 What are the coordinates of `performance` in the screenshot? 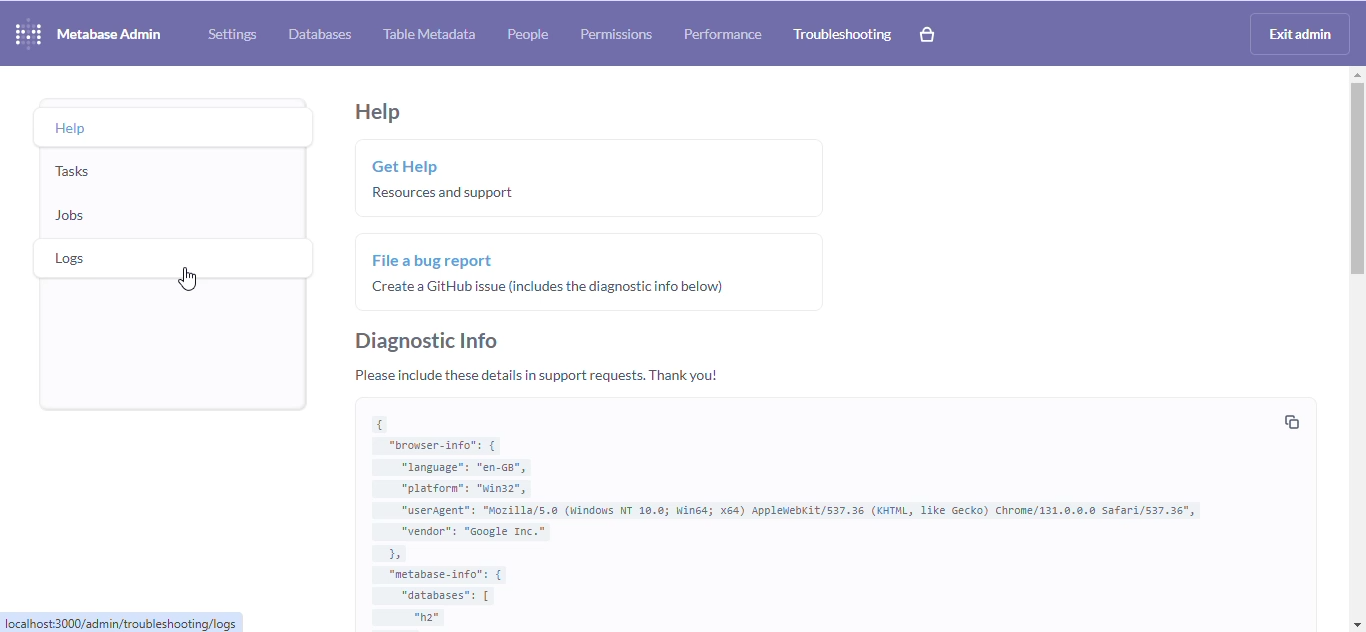 It's located at (723, 34).